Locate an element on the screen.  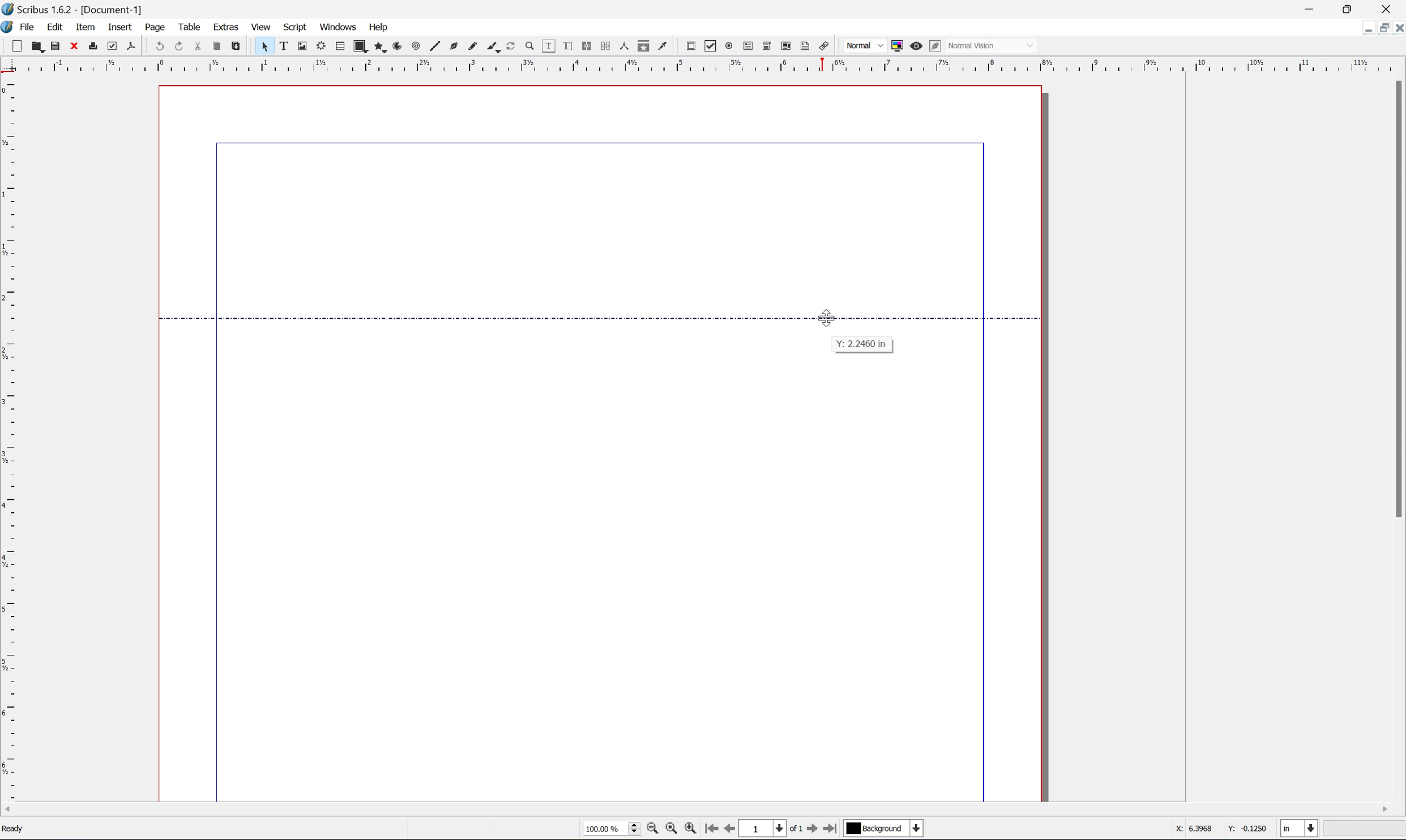
edit in preview mode is located at coordinates (935, 46).